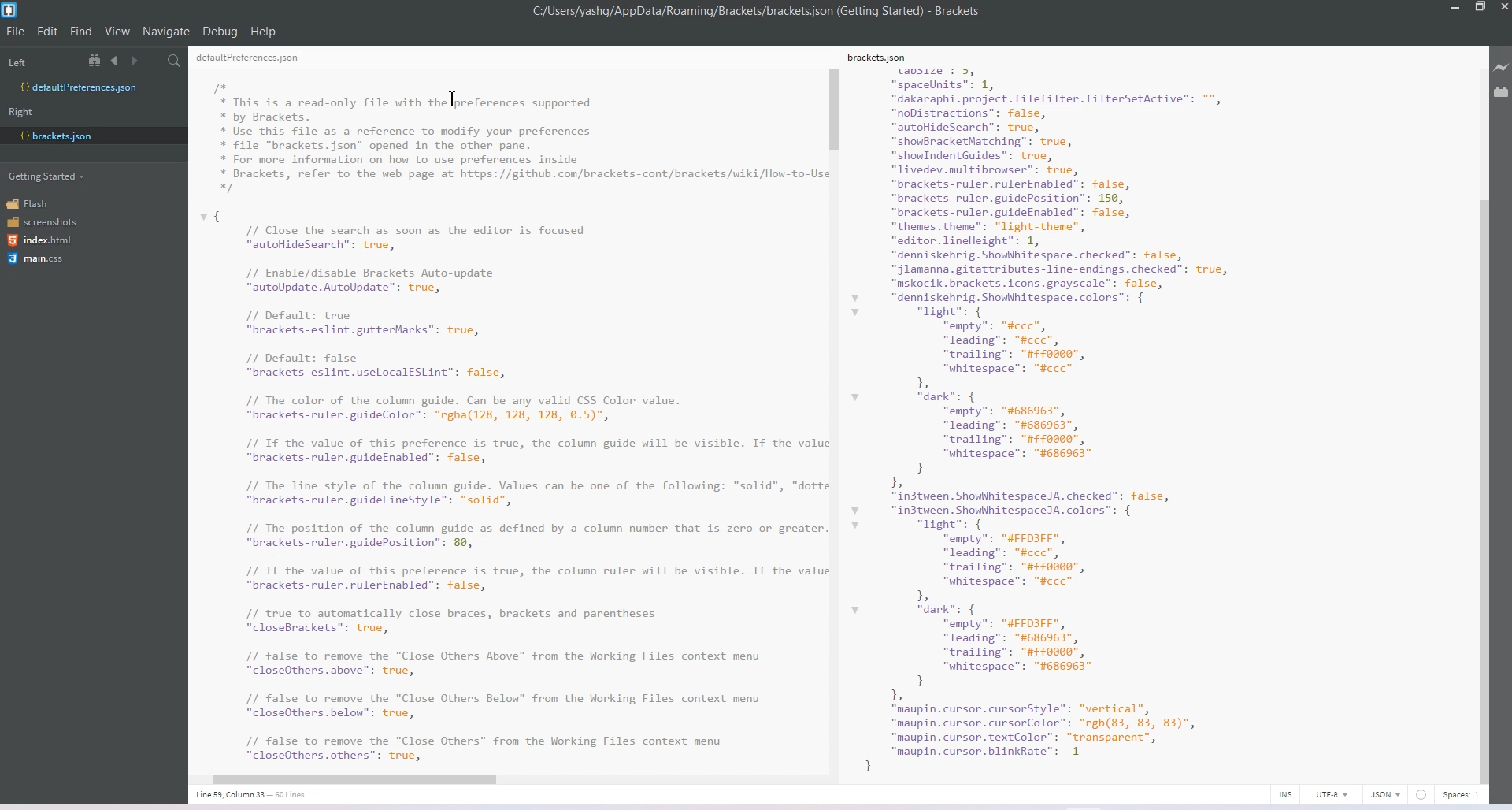  What do you see at coordinates (507, 408) in the screenshot?
I see `RE I
I”
* This is a read-only file with the preferences supported
* by Brackets.
* Use this file as a reference to modify your preferences
* file "brackets.json" opened in the other pane.
* For more information on how to use preferences inside
* Brackets, refer to the web page at https://github.com/brackets-cont/brackets/wiki/How-to-U:
*/
{
// Close the search as soon as the editor is focused
“autoHideSearch”: true,
// Enable/disable Brackets Auto-update
“autoUpdate. AutoUpdate”: true,
// Default: true
“brackets-eslint.gutterMarks": true,
// Default: false
“brackets-eslint.uselocalESLint": false,
// The color of the column guide. Can be any valid CSS Color value.
“brackets-ruler.guideColor": "rgba(128, 128, 128, ©.5)",
// Tf the value of this preference is true, the column guide will be visible. If the val:
“brackets-ruler.guideEnabled": false,
// The line style of the column guide. Values can be one of the following: “solid”, "dott
“brackets-ruler.guidelineStyle": "solid",
// The position of the column guide as defined by a column number that is zero or greater
“brackets-ruler.guidePosition": 89,
// Tf the value of this preference is true, the column ruler will be visible. If the val:
“brackets-ruler.rulerEnabled": false,
// true to automatically close braces, brackets and parentheses
“closeBrackets": true,
// false to remove the "Close Others Above” from the Working Files context menu
“closeOthers.above": true,
// false to remove the "Close Others Below” from the Working Files context menu
“closeOthers.below": true,
// false to remove the "Close Others” from the Working Files context menu
"closeOthers.others”: true,` at bounding box center [507, 408].